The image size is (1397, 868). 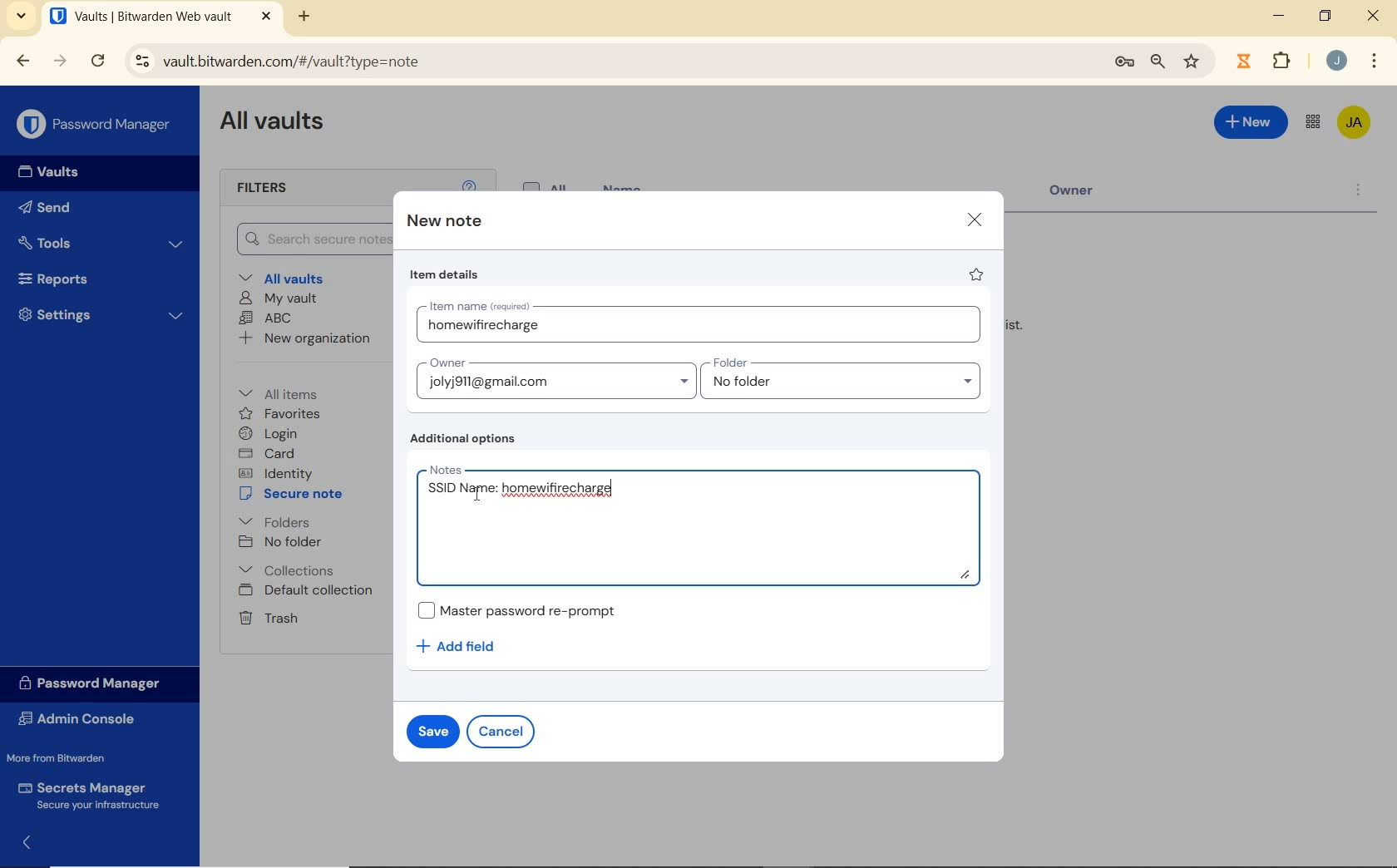 What do you see at coordinates (274, 520) in the screenshot?
I see `folders` at bounding box center [274, 520].